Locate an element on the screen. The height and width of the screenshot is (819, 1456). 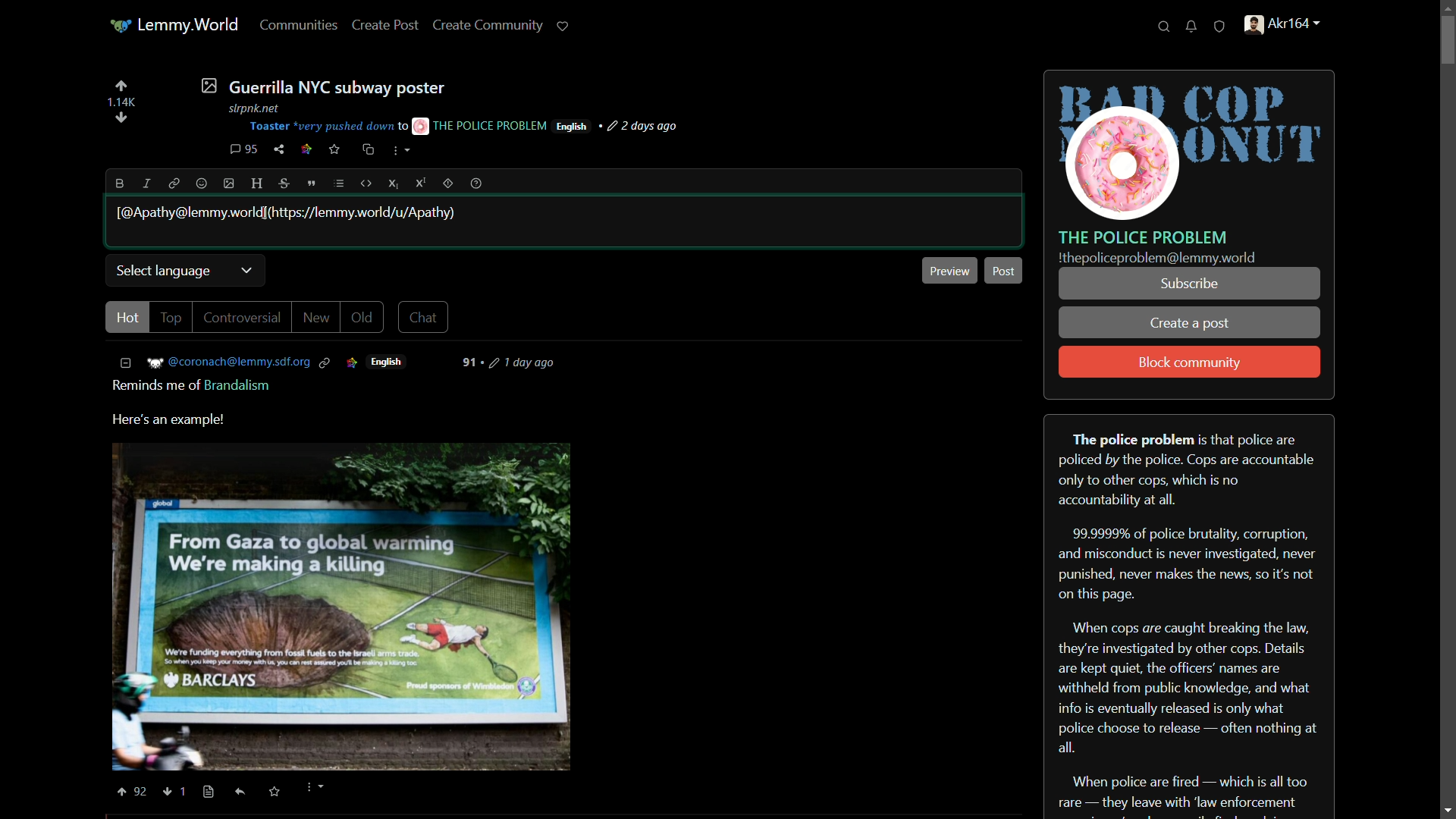
Brandalism is located at coordinates (240, 385).